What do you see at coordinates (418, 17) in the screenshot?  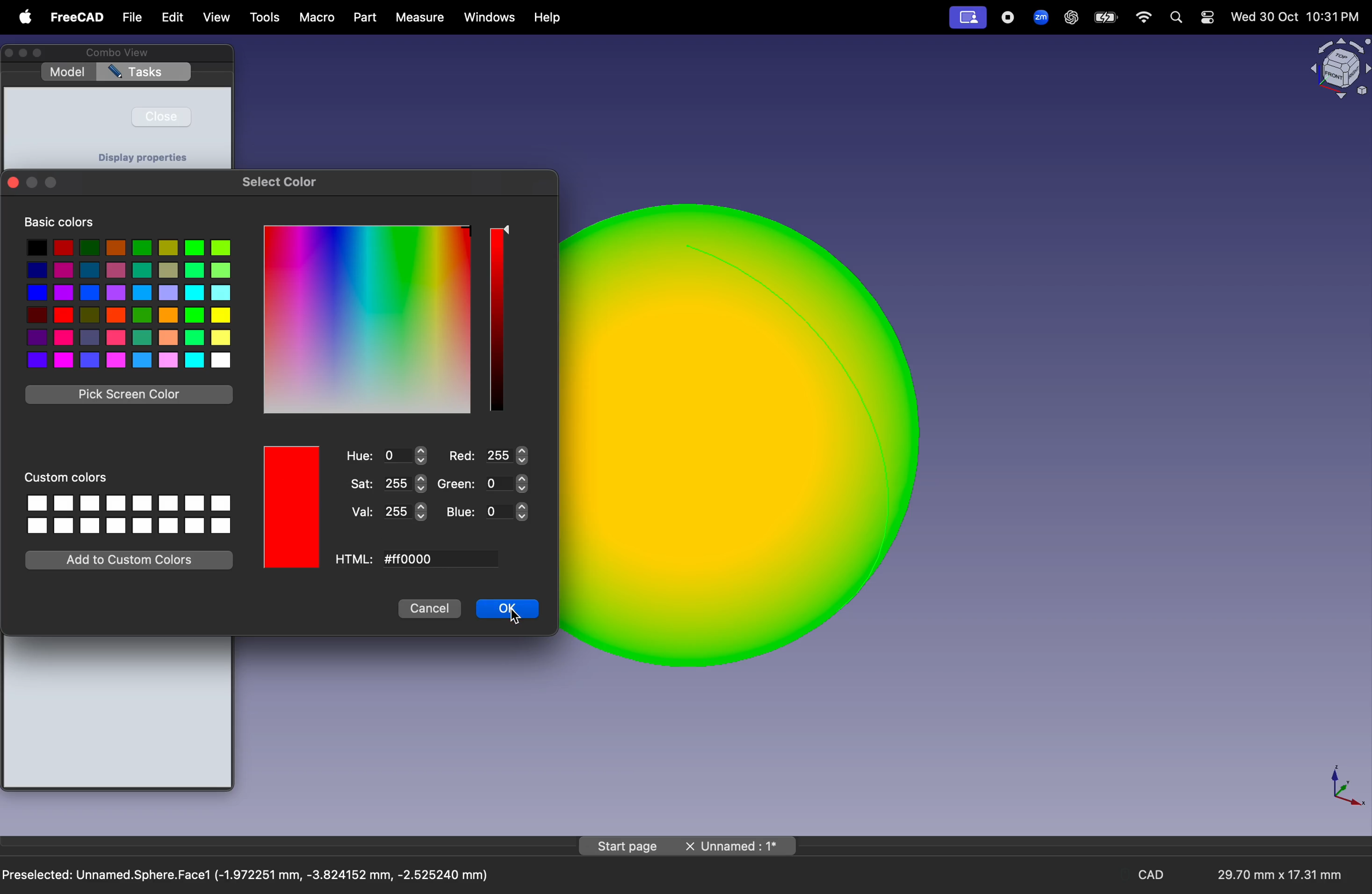 I see `measure` at bounding box center [418, 17].